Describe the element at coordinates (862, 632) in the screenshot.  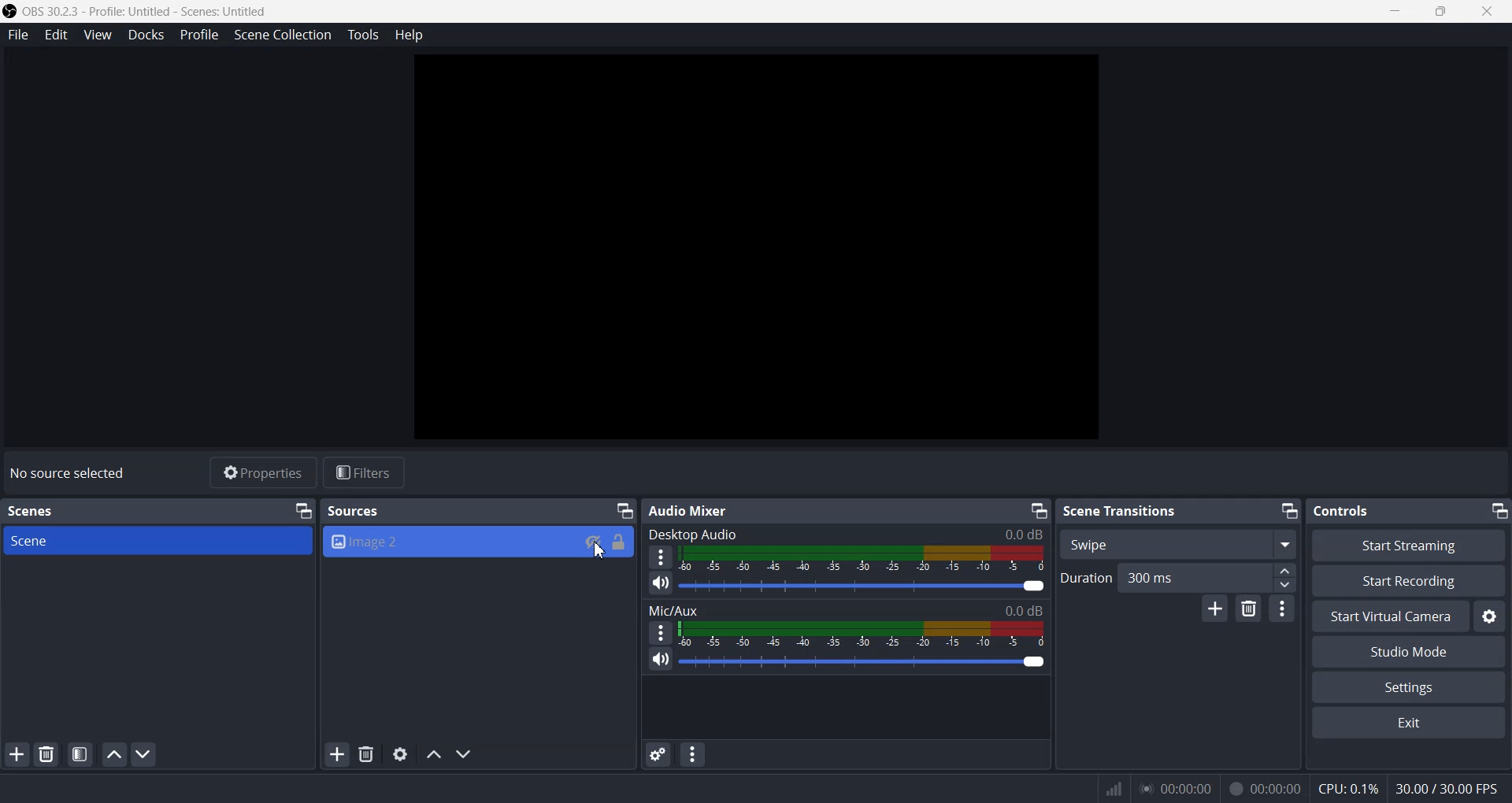
I see `Volume Indicator` at that location.